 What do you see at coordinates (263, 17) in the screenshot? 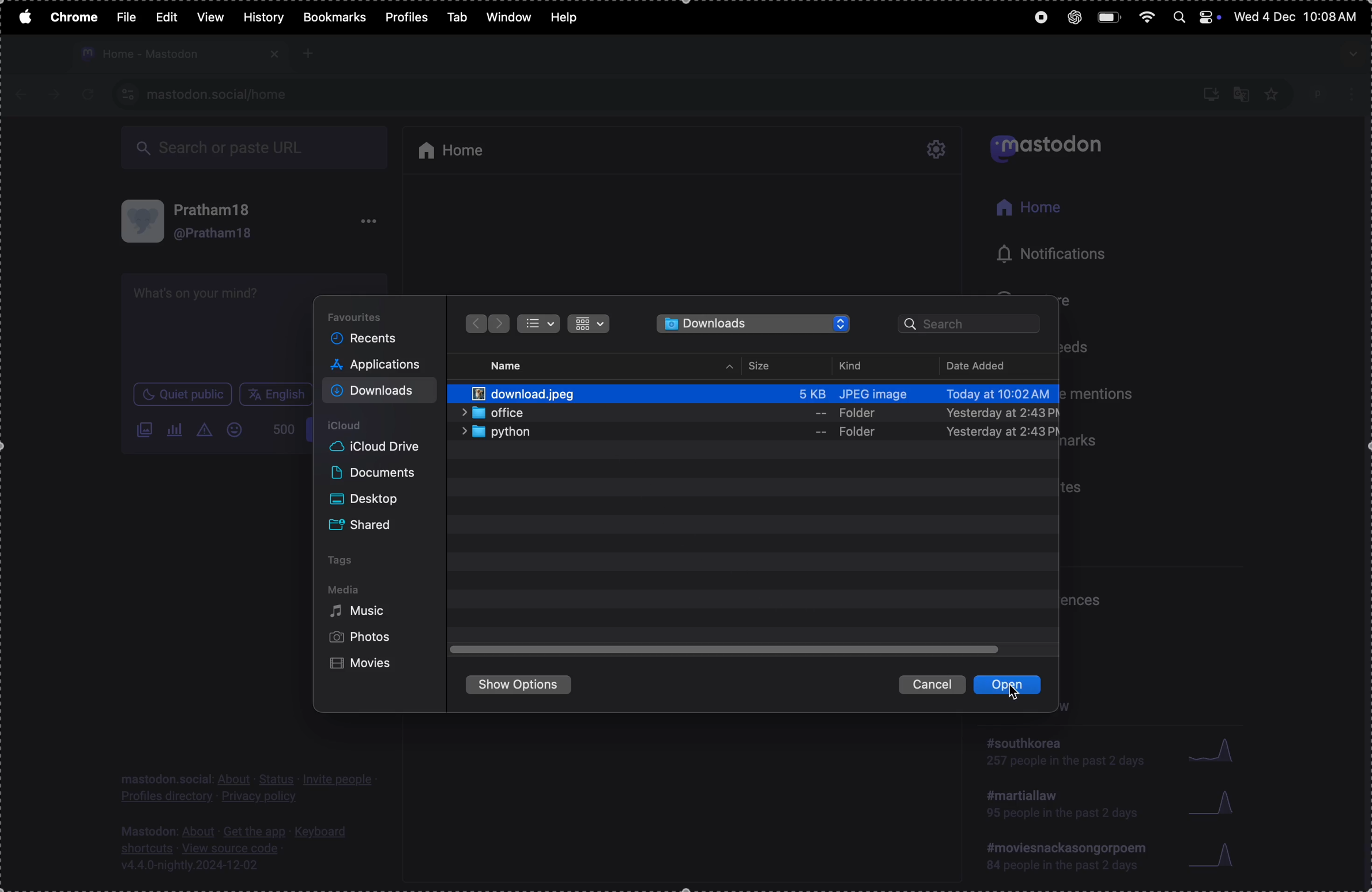
I see `History` at bounding box center [263, 17].